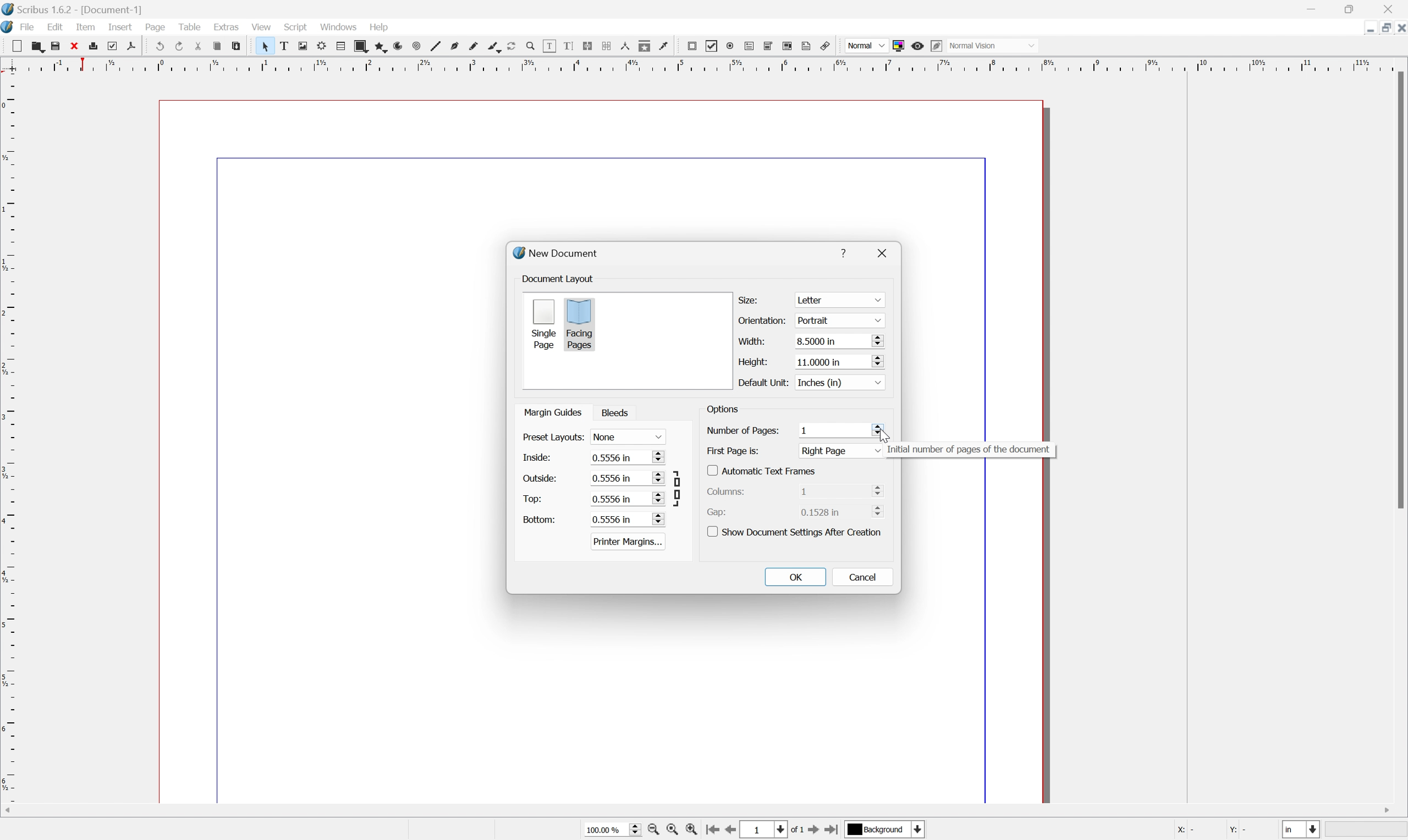  I want to click on initial number of pages of the document, so click(968, 451).